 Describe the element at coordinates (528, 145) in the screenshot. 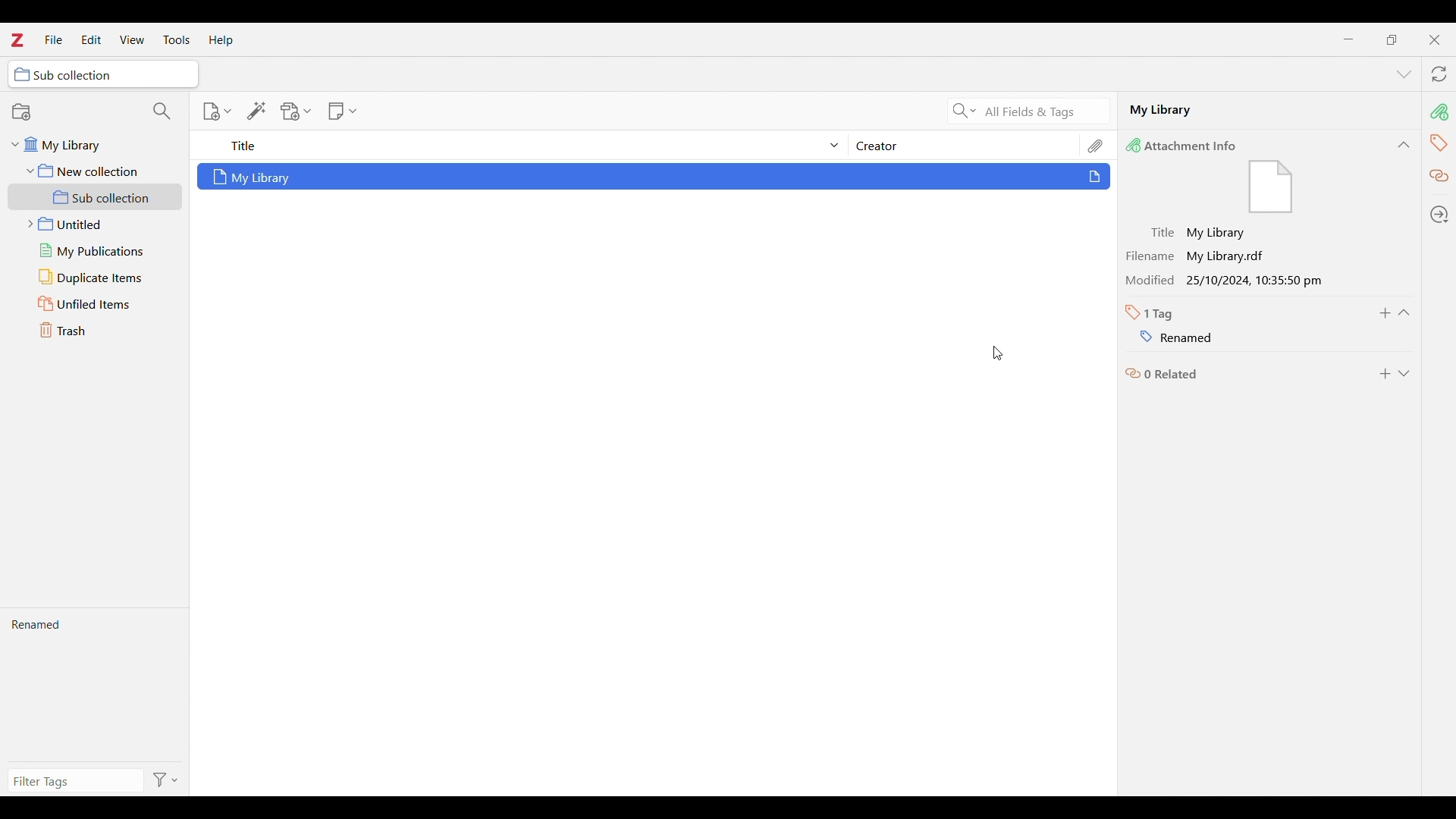

I see `Sort title column` at that location.